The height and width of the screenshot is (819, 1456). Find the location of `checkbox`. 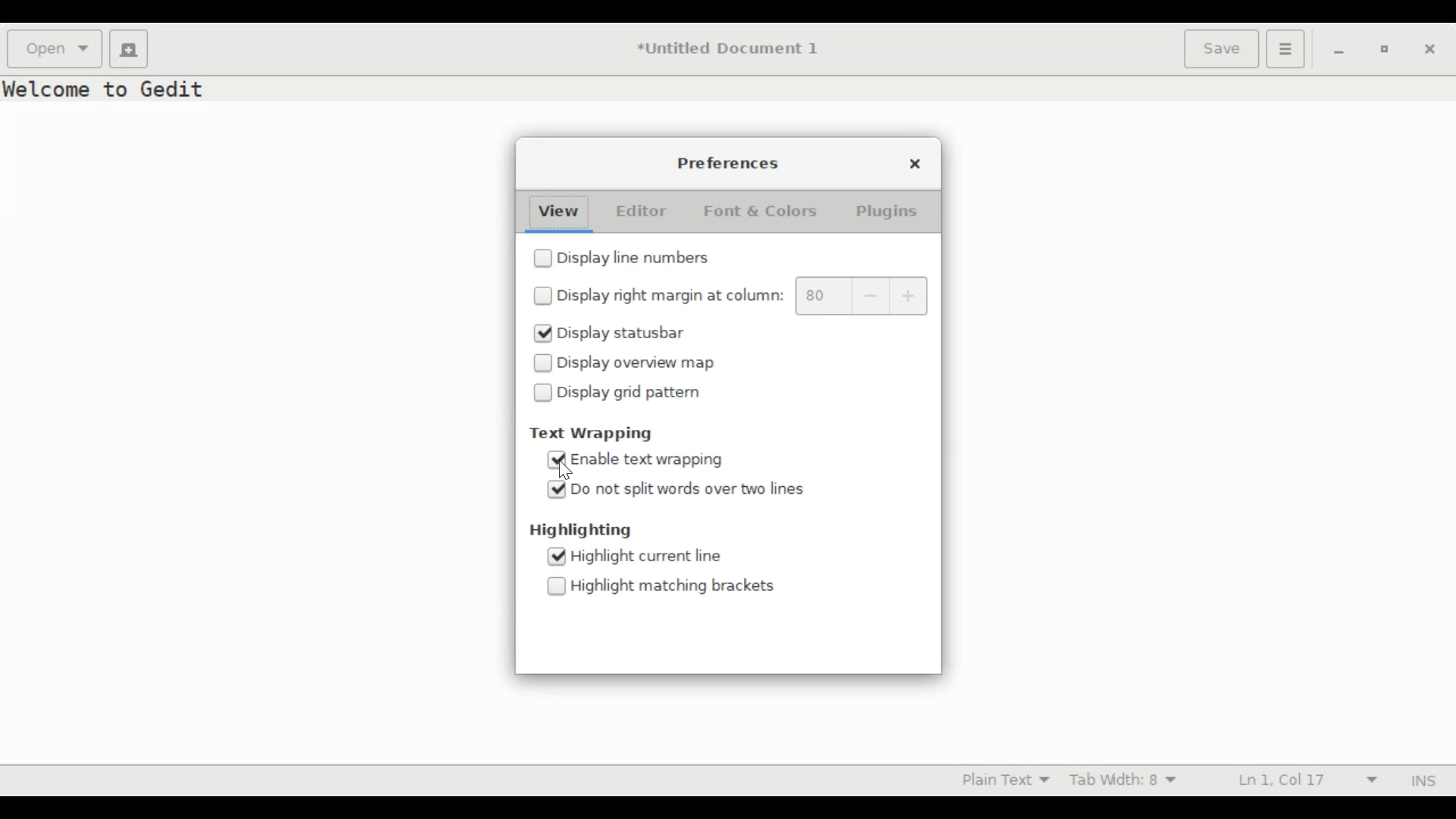

checkbox is located at coordinates (542, 297).